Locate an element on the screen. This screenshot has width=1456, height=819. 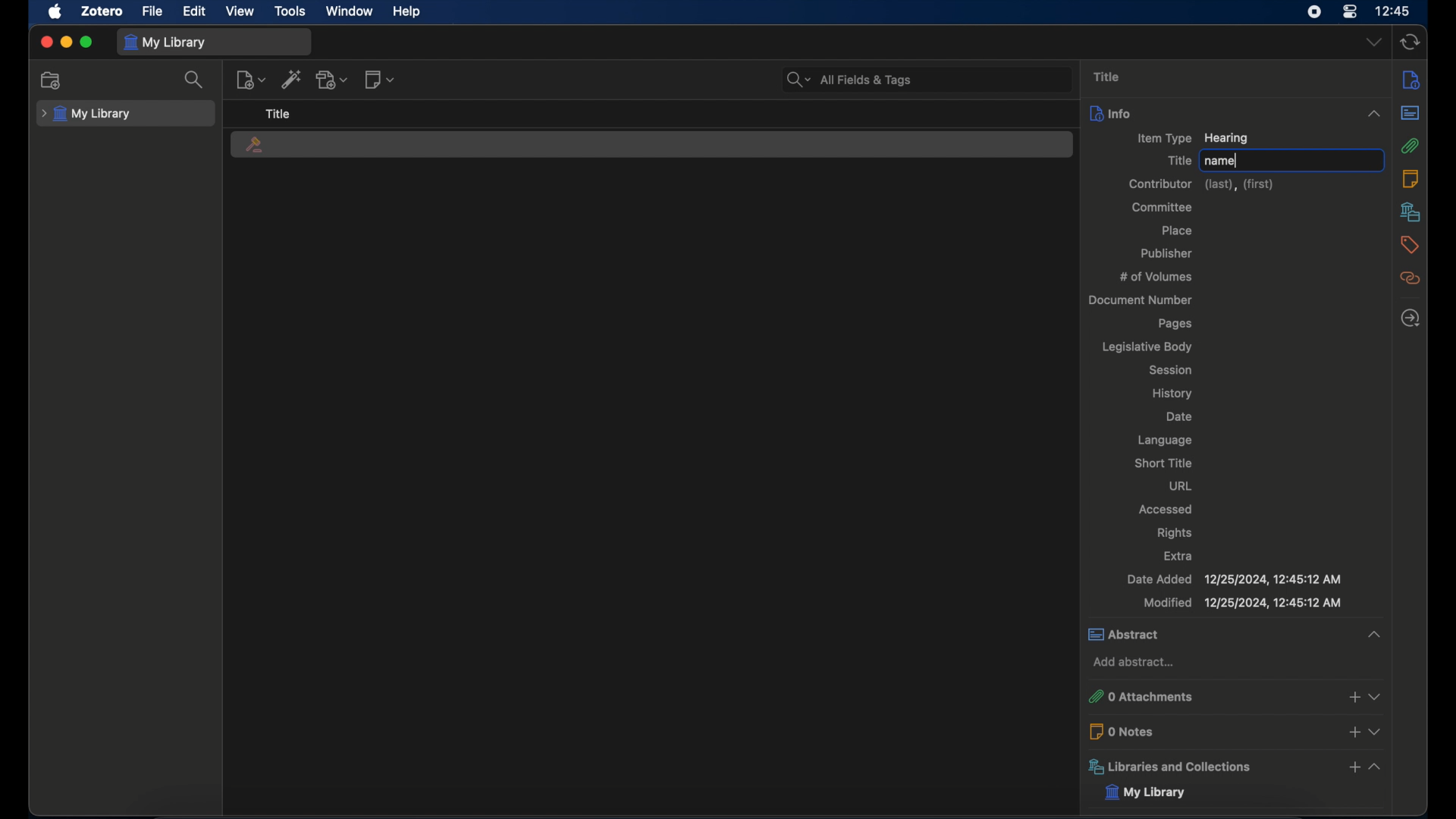
title is located at coordinates (1178, 160).